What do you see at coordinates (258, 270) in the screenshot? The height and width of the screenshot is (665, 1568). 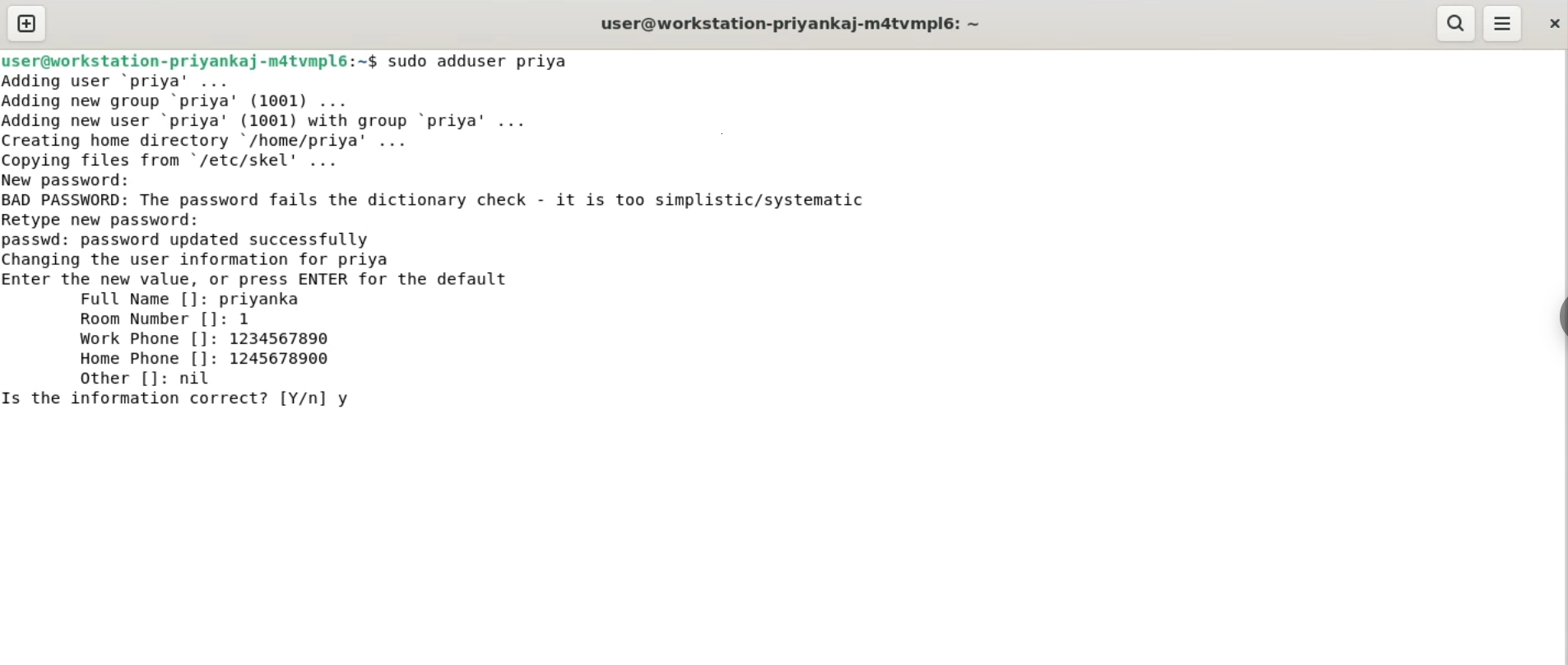 I see `passwd: password updated successfullyChanging the user information for priyaEnter the new value, or press ENTER for the defaultFull Name []: priyankal ` at bounding box center [258, 270].